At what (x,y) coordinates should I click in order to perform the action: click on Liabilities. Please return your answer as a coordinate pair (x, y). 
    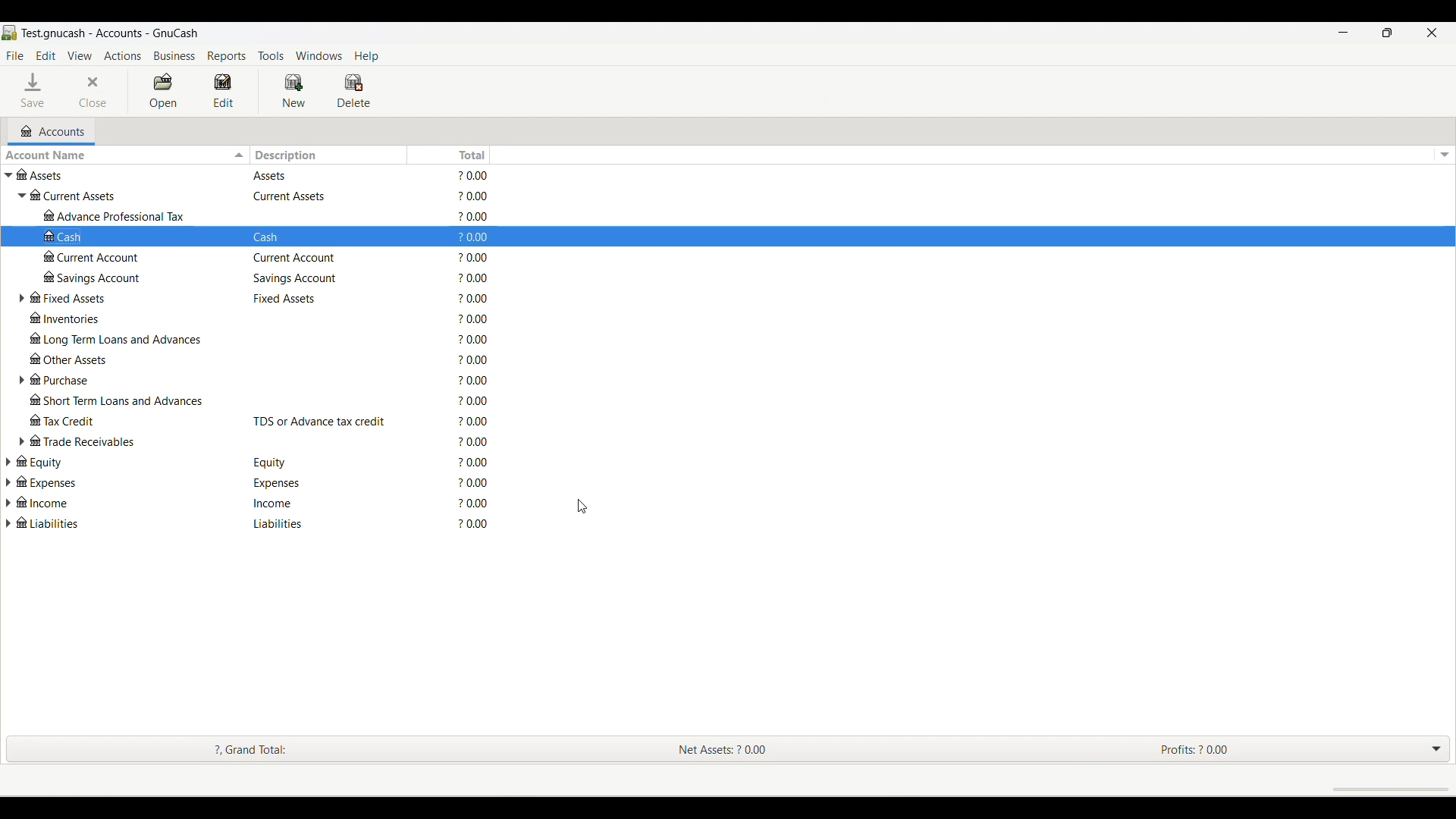
    Looking at the image, I should click on (104, 522).